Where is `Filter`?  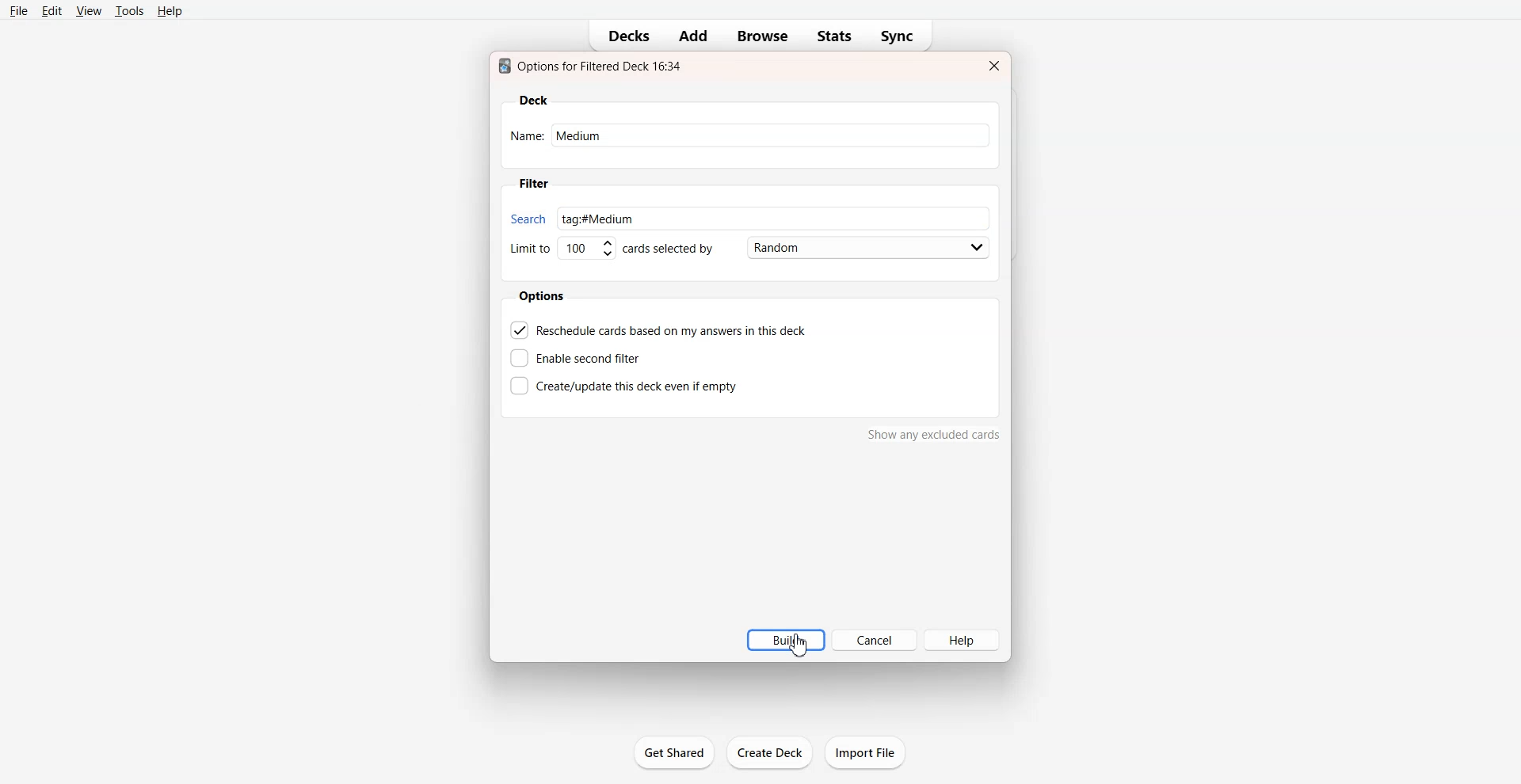
Filter is located at coordinates (533, 184).